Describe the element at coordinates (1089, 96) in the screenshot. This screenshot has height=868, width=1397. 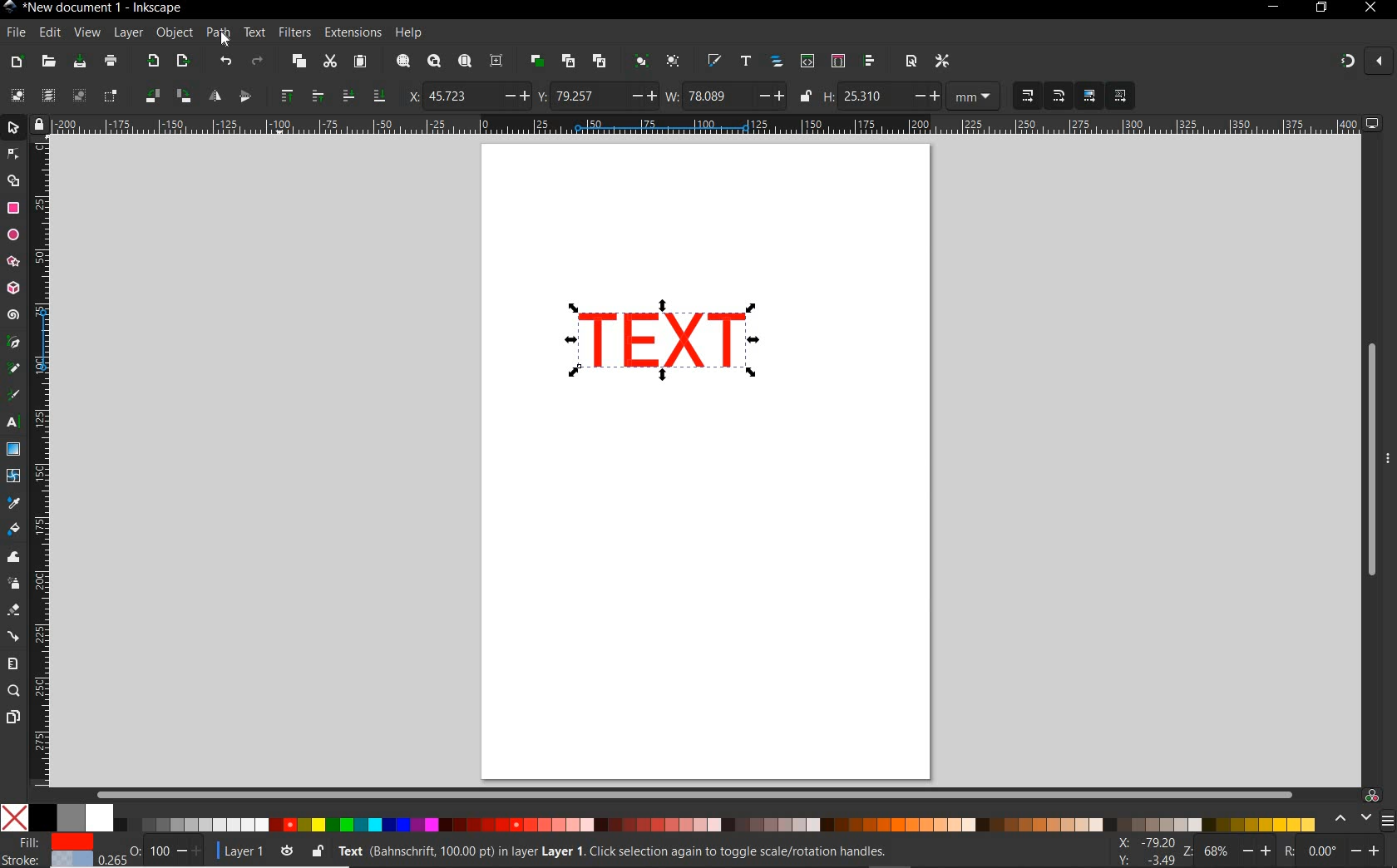
I see `MOVE GRADIENTS` at that location.